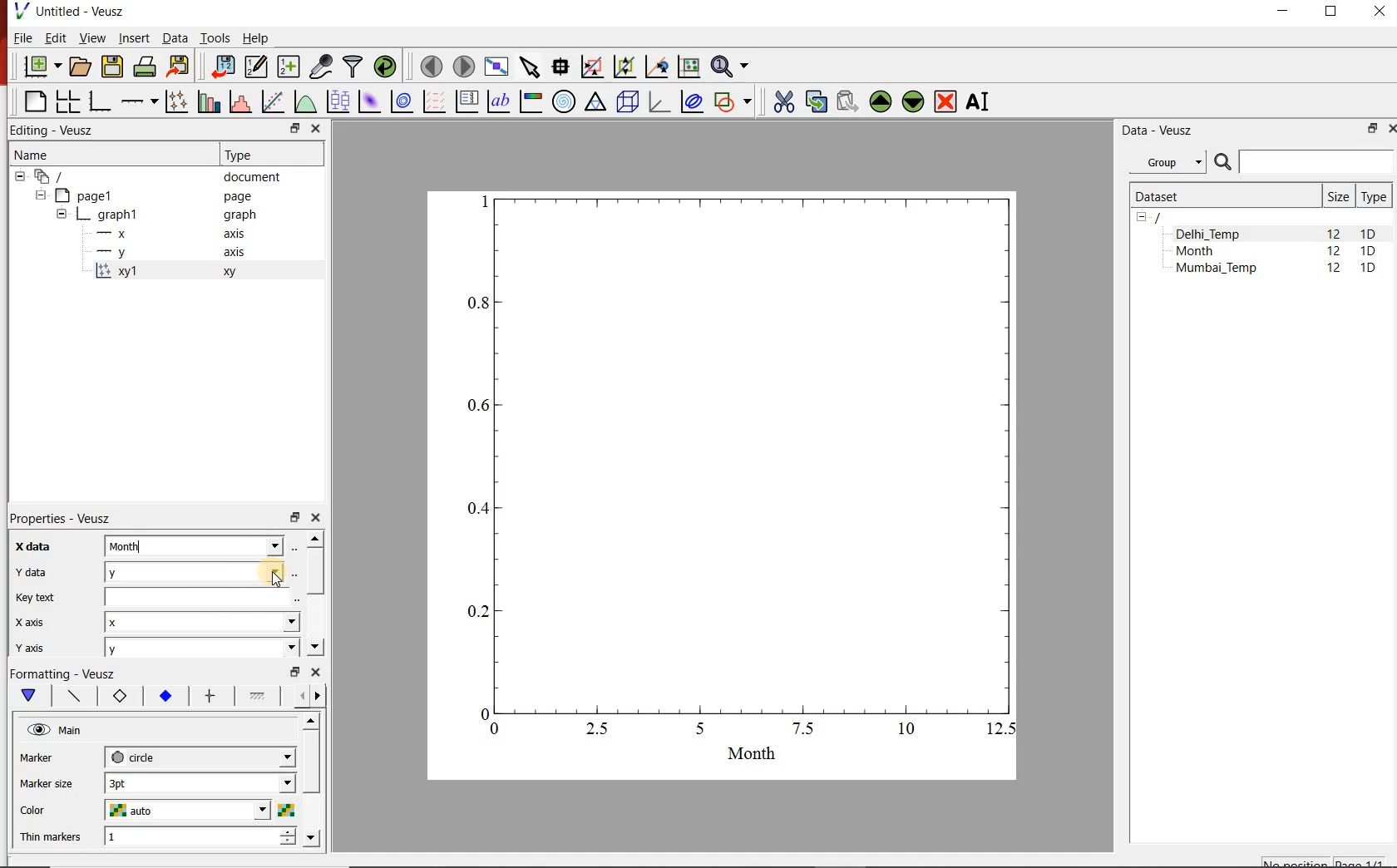 The height and width of the screenshot is (868, 1397). Describe the element at coordinates (531, 67) in the screenshot. I see `select items from the graph or scroll` at that location.